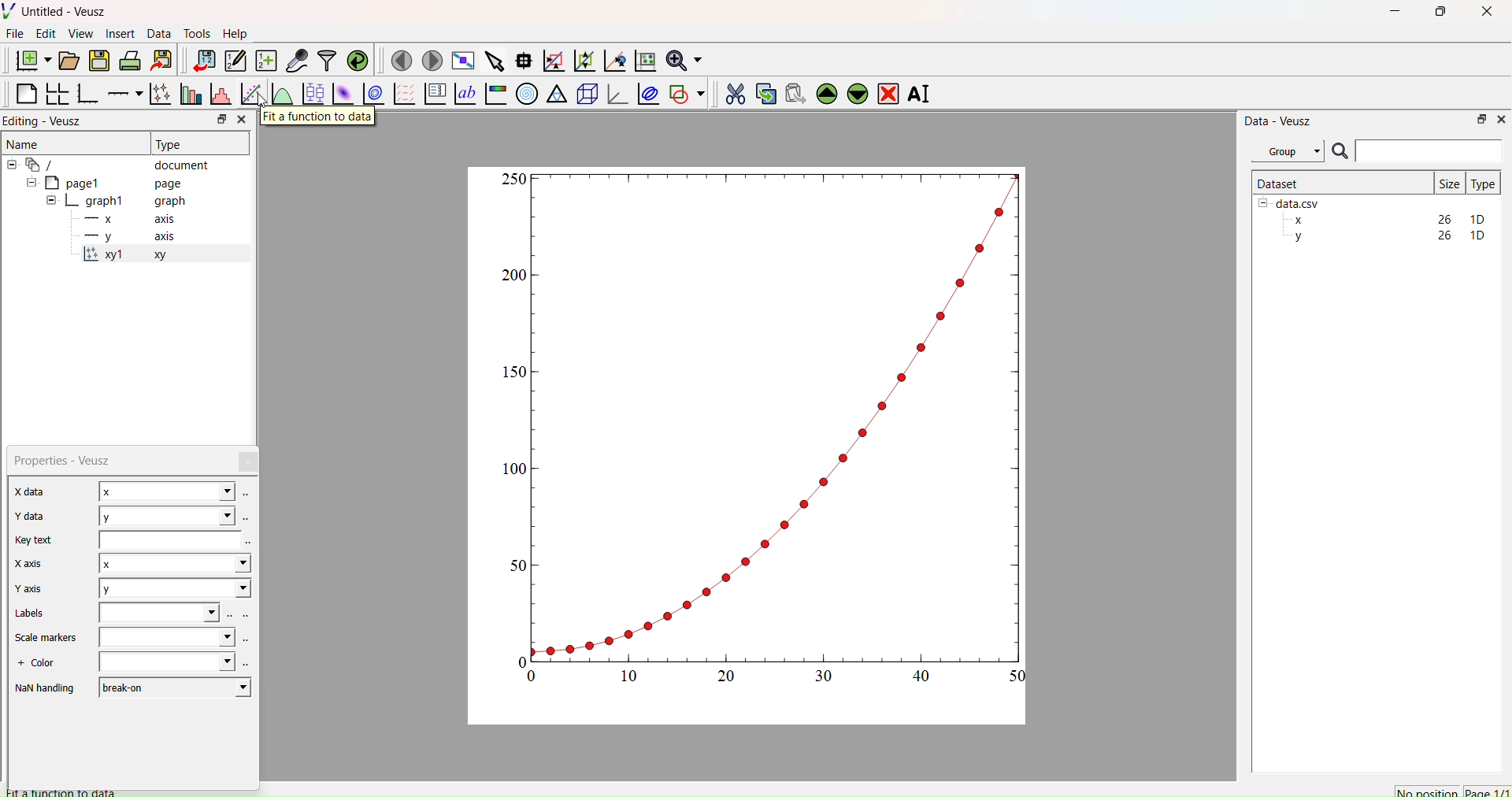 The image size is (1512, 797). I want to click on x1 xy, so click(124, 256).